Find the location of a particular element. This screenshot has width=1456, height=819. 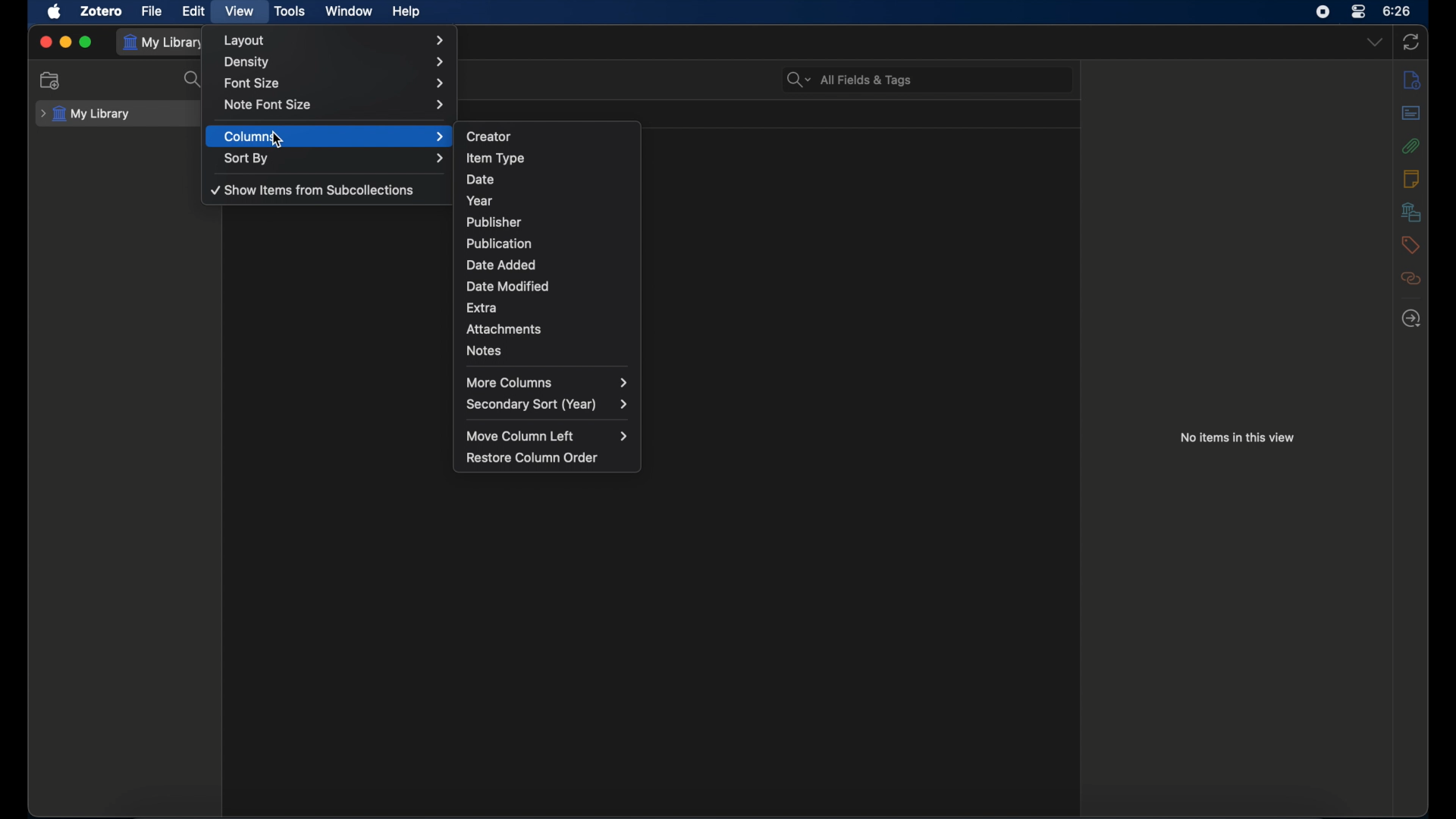

locate is located at coordinates (1411, 318).